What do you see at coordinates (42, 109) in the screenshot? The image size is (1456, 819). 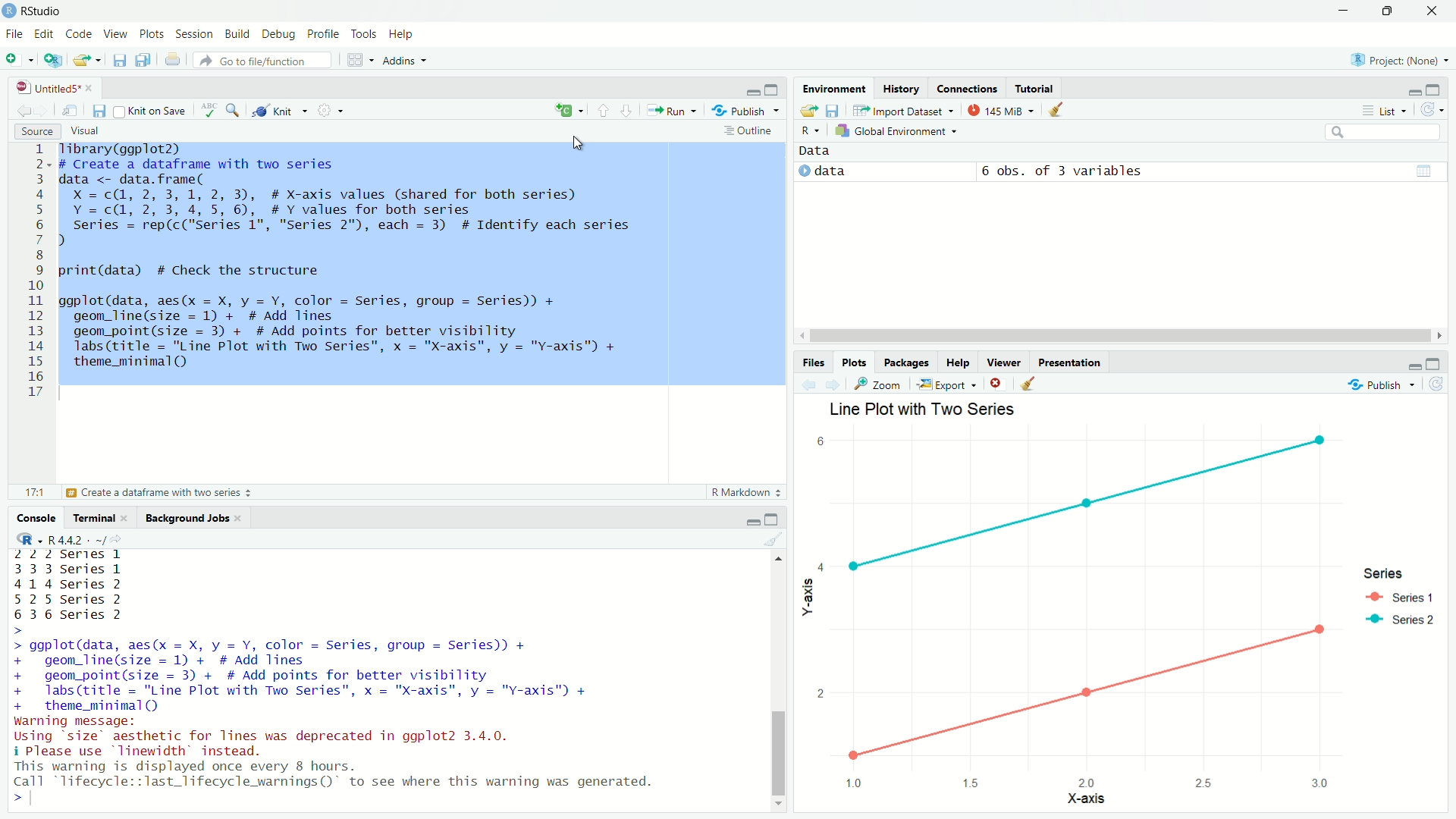 I see `Go forward to the next source selection` at bounding box center [42, 109].